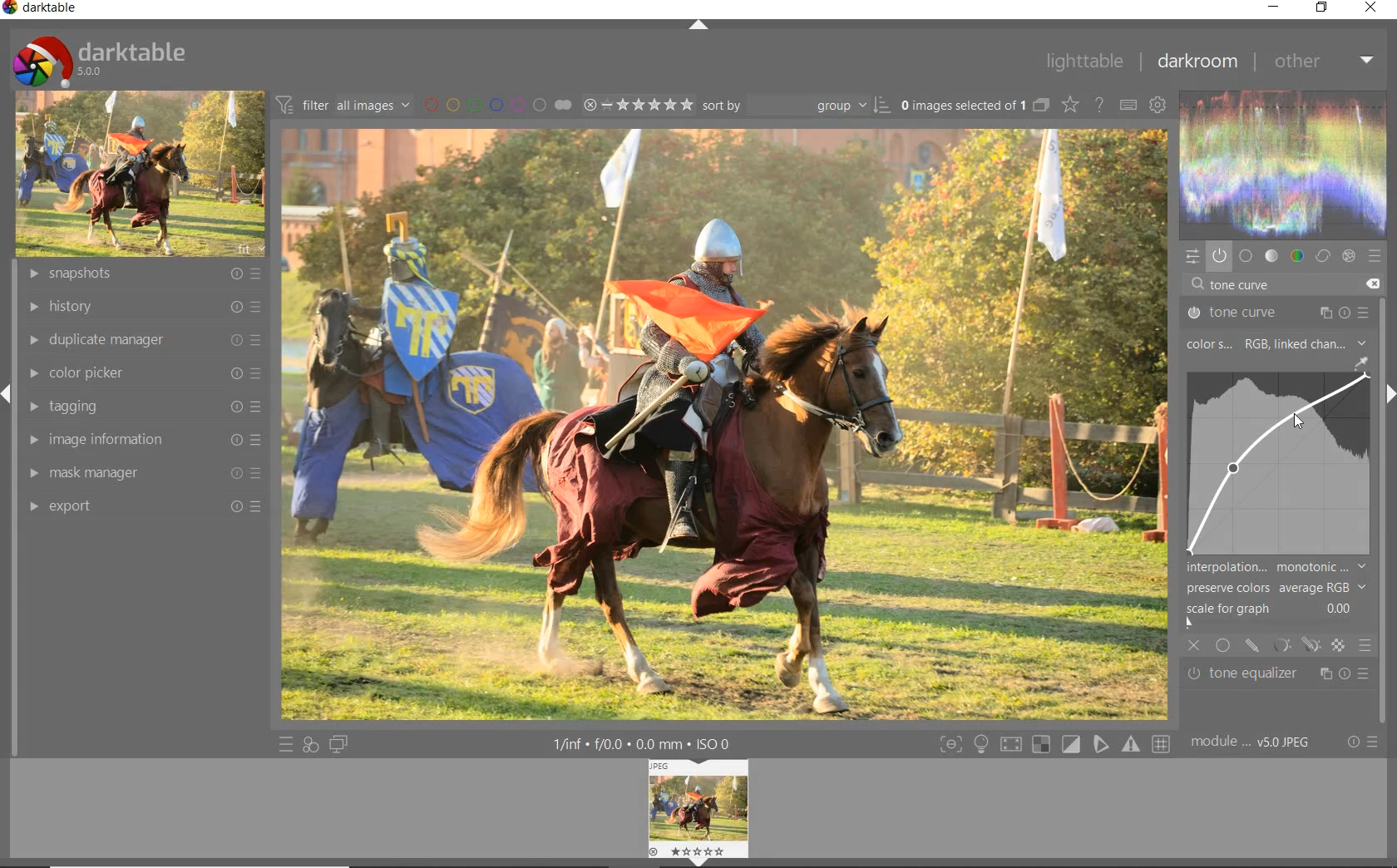  What do you see at coordinates (1157, 106) in the screenshot?
I see `show global preferences` at bounding box center [1157, 106].